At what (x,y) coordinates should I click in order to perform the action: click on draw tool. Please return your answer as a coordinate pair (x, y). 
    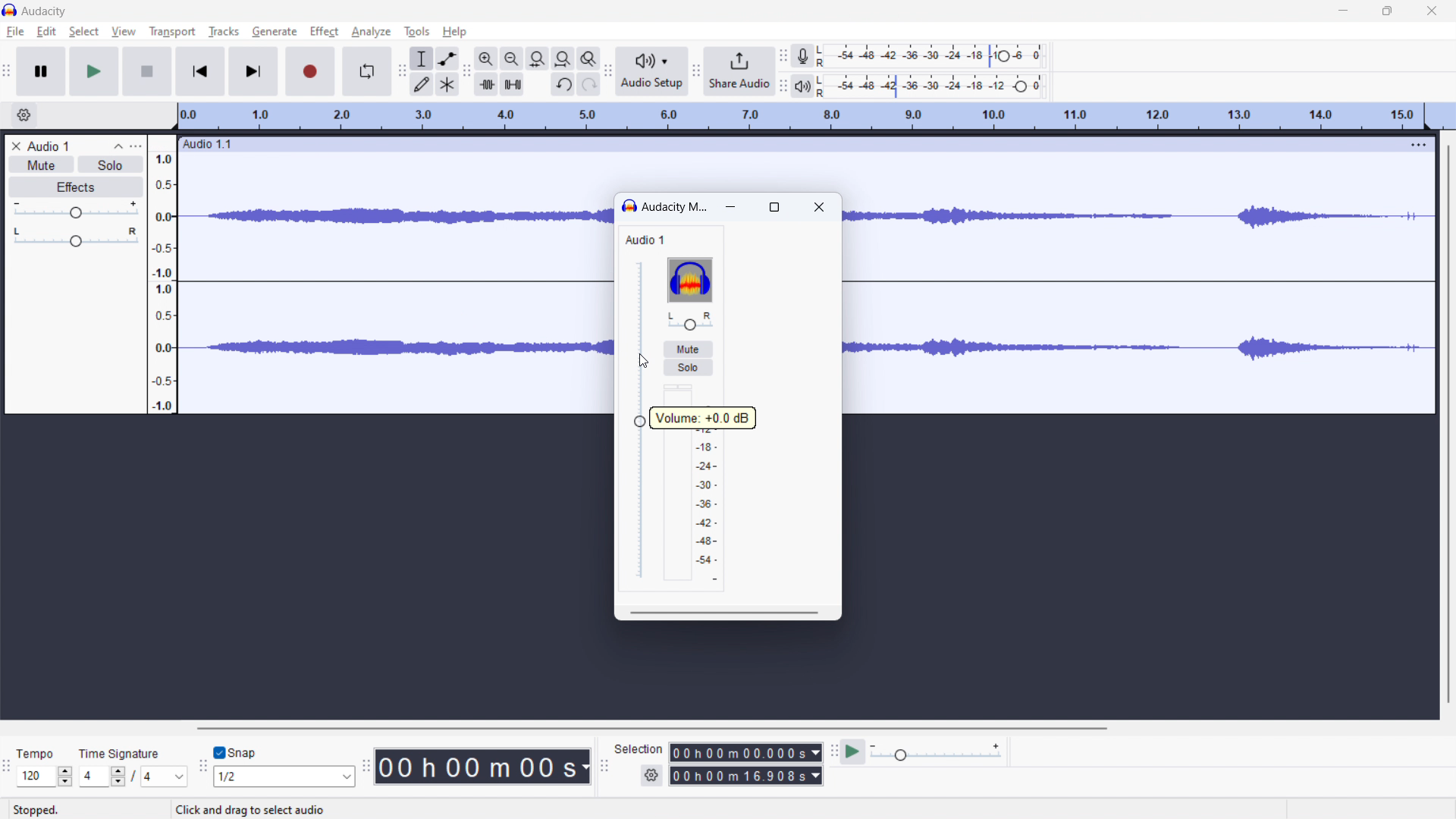
    Looking at the image, I should click on (420, 83).